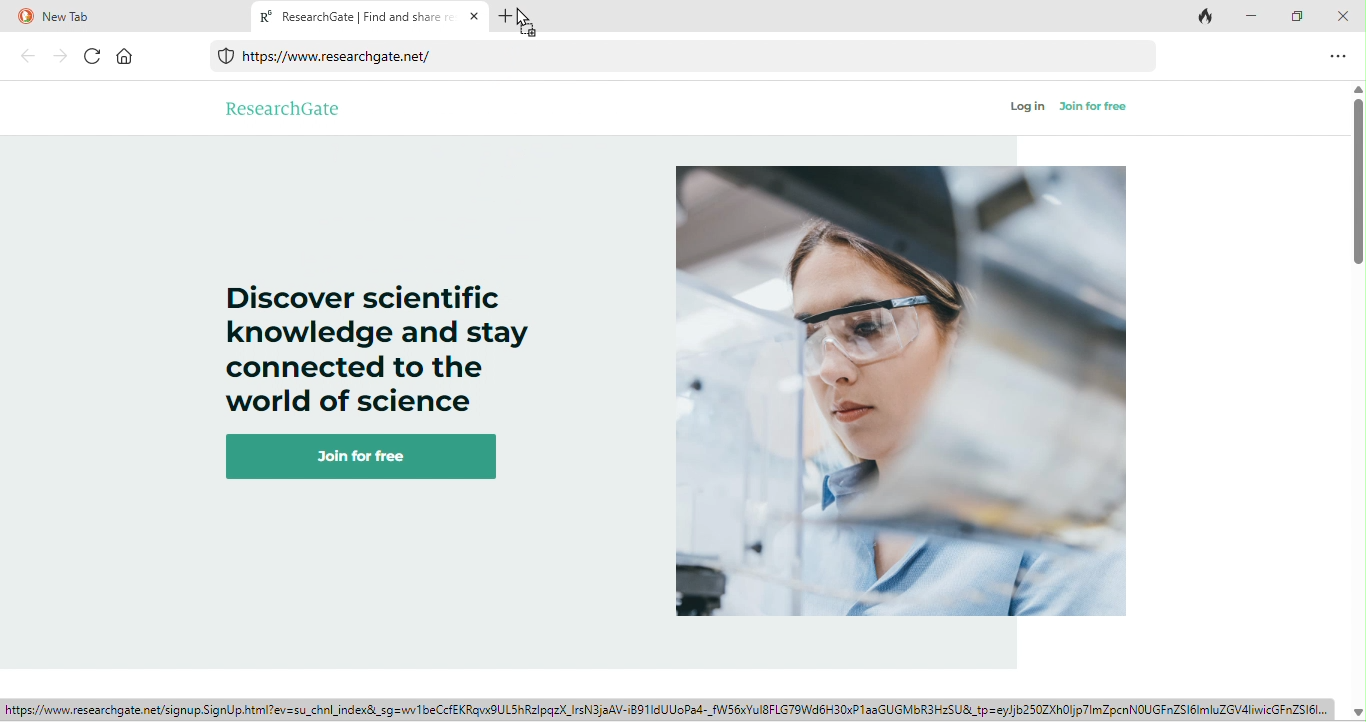  I want to click on ResearchGate | Find and , so click(368, 16).